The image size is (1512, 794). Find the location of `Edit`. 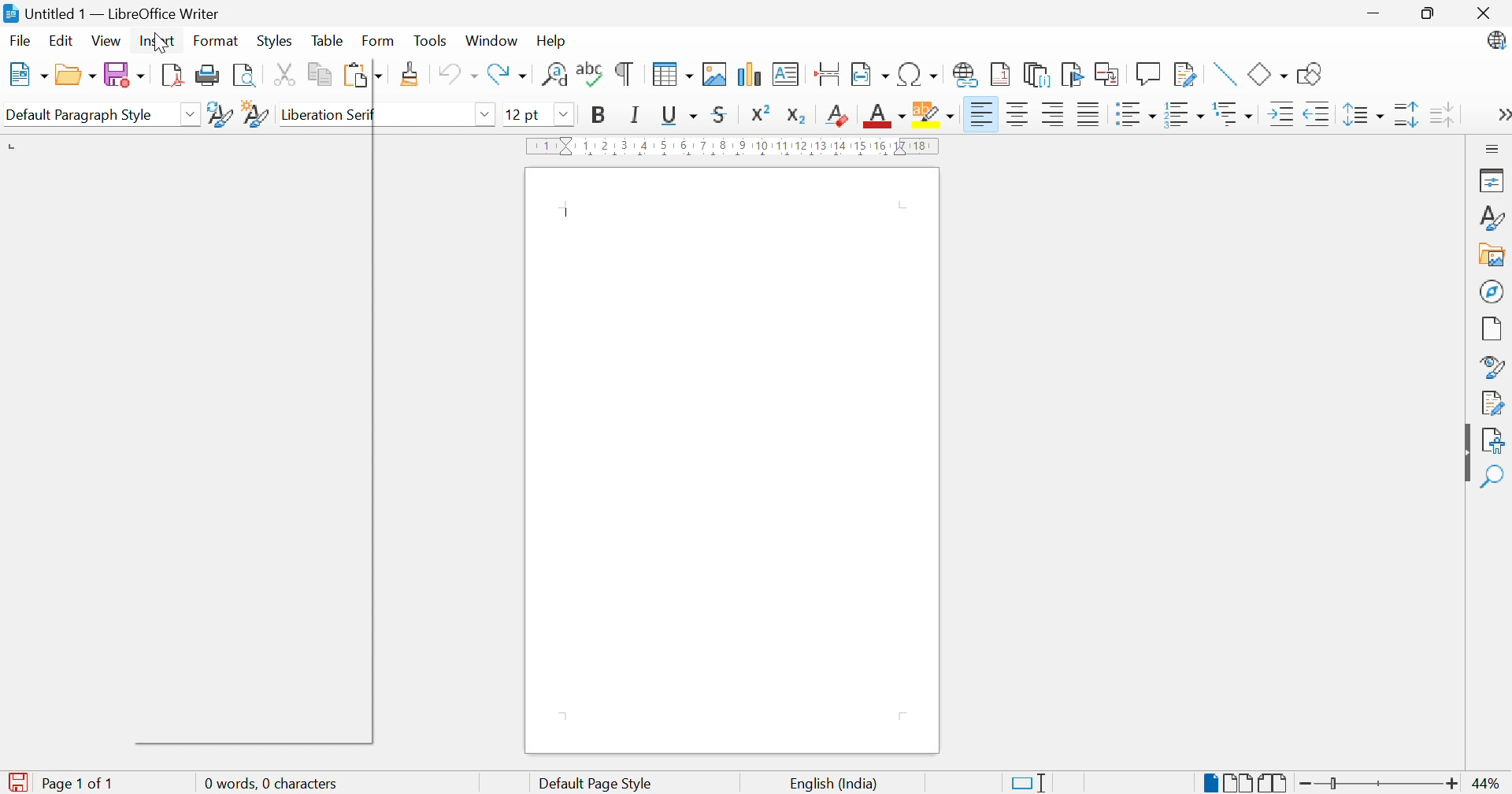

Edit is located at coordinates (61, 43).